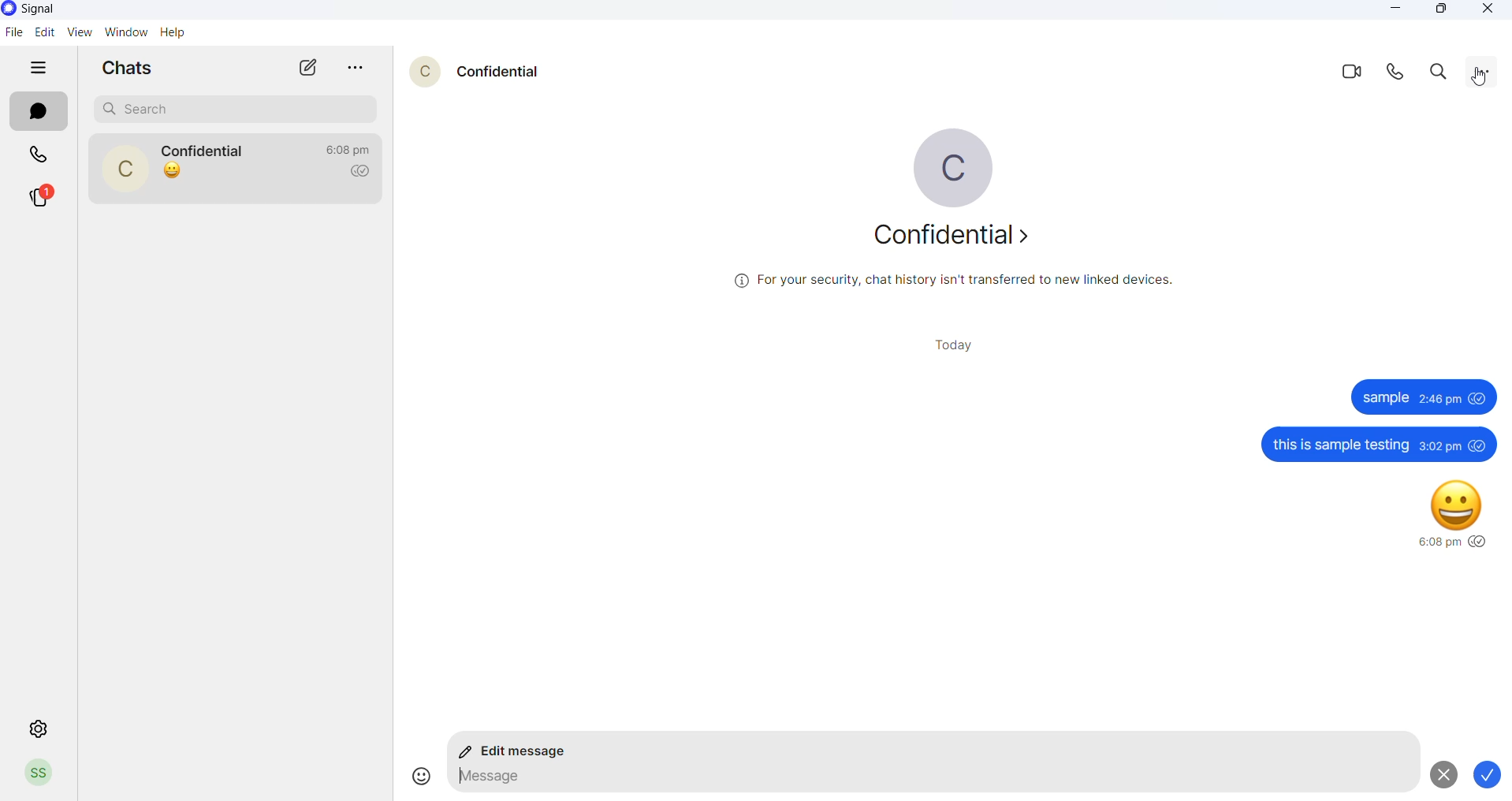  What do you see at coordinates (1401, 9) in the screenshot?
I see `minimize` at bounding box center [1401, 9].